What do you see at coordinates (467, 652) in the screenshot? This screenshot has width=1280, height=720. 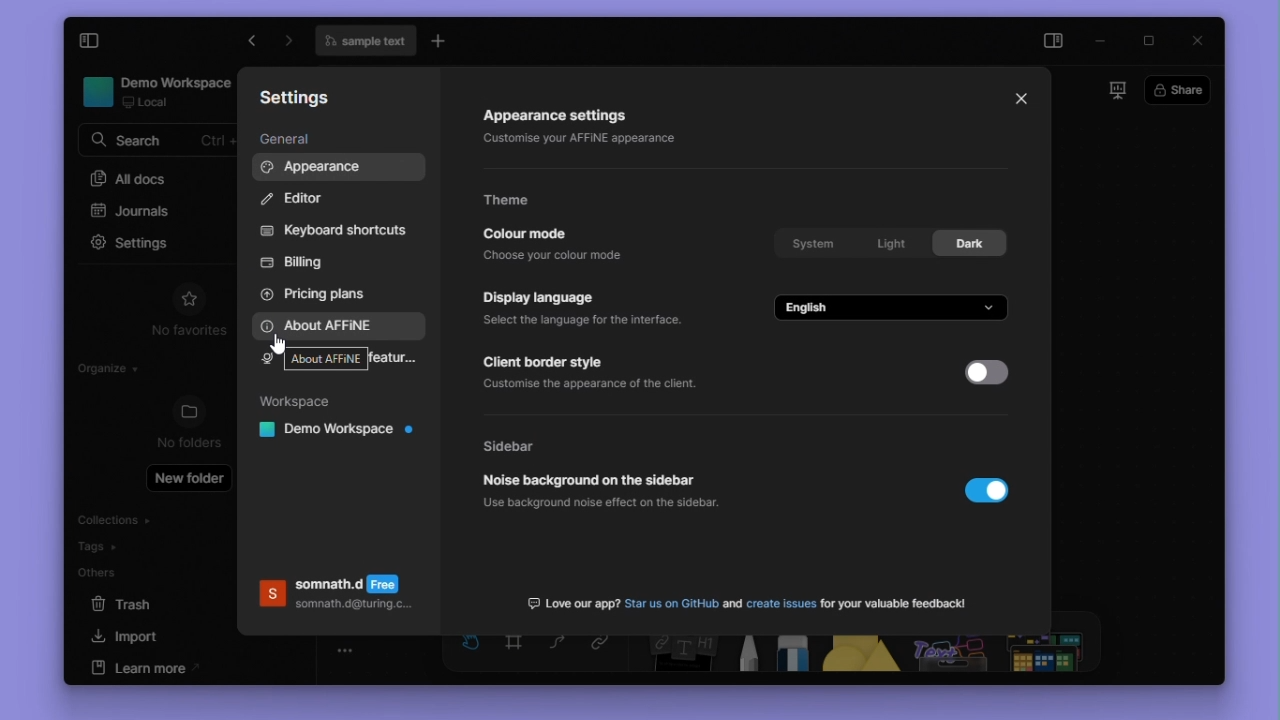 I see `hand` at bounding box center [467, 652].